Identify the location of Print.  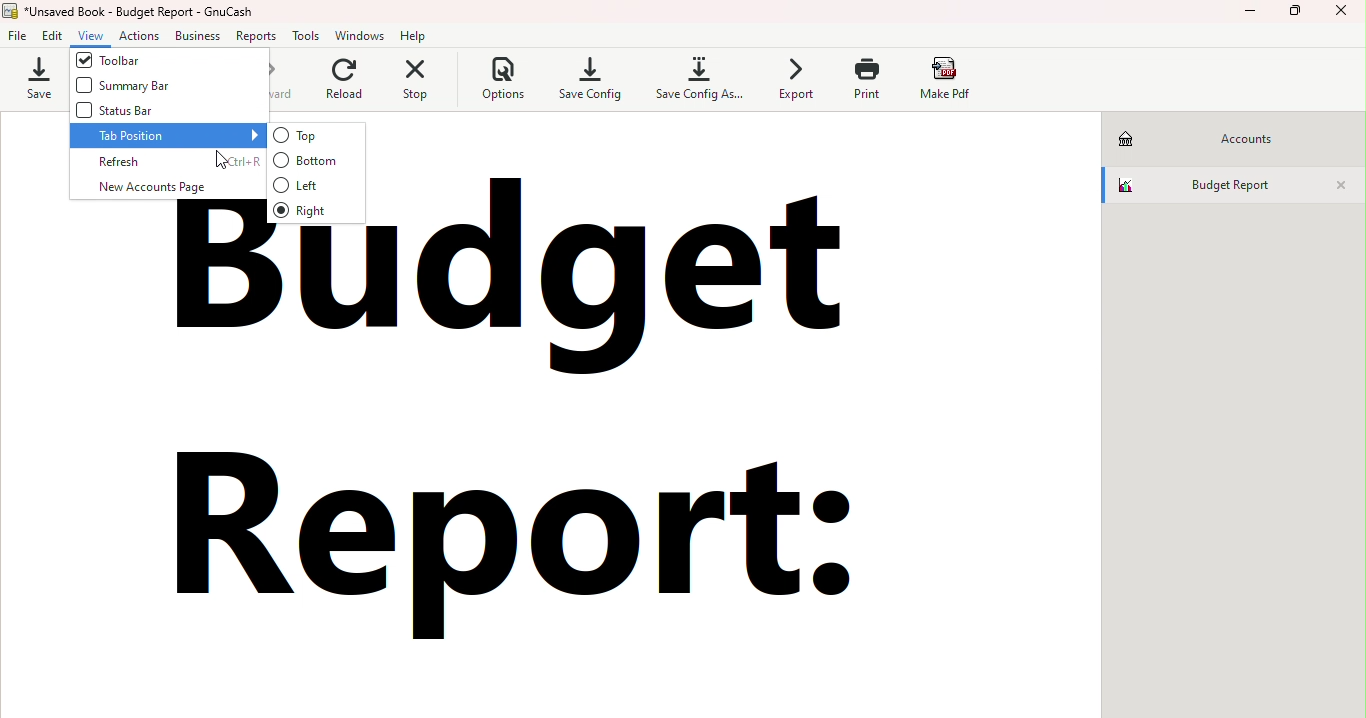
(863, 80).